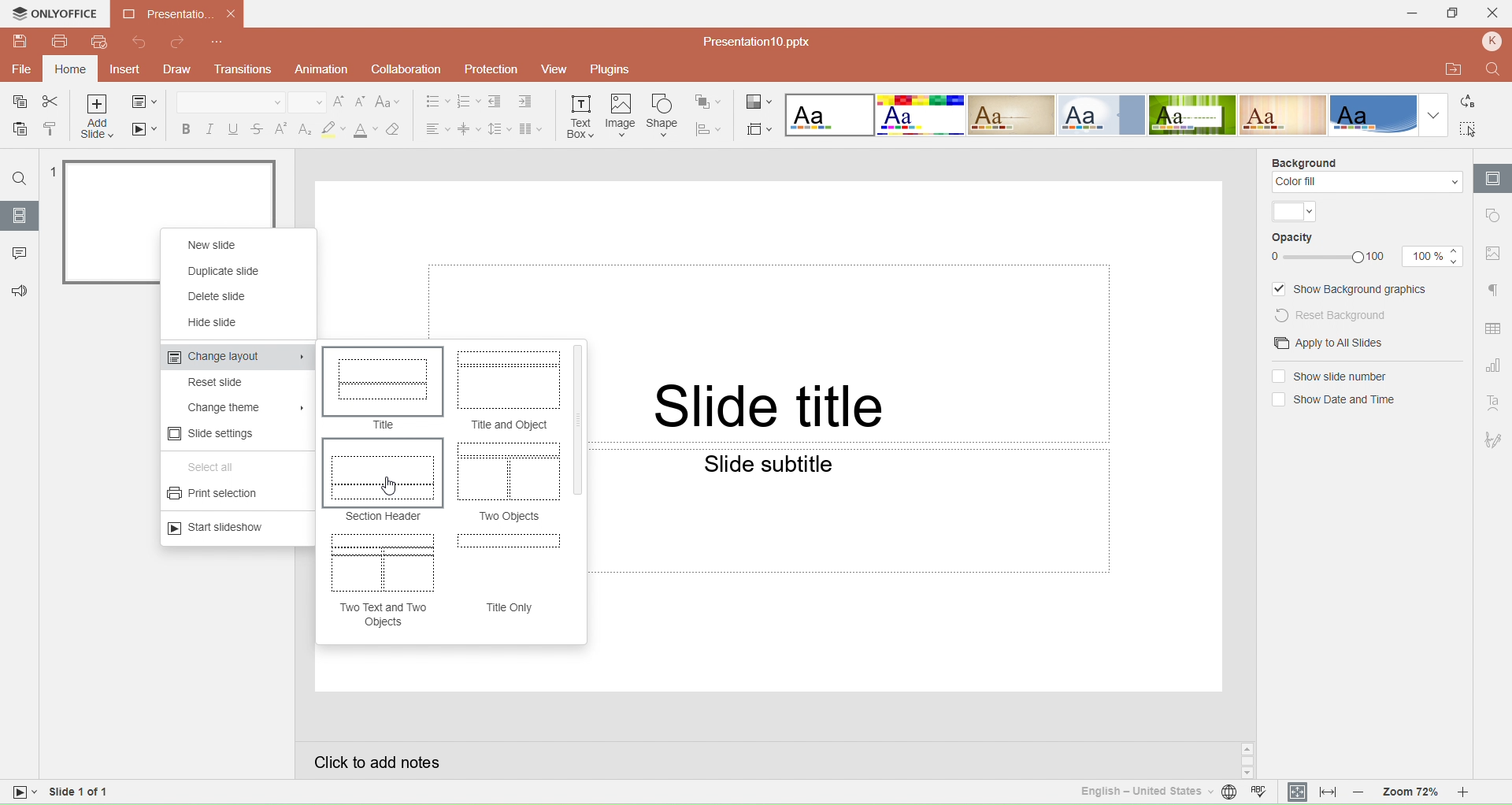 The image size is (1512, 805). What do you see at coordinates (258, 128) in the screenshot?
I see `Strike through` at bounding box center [258, 128].